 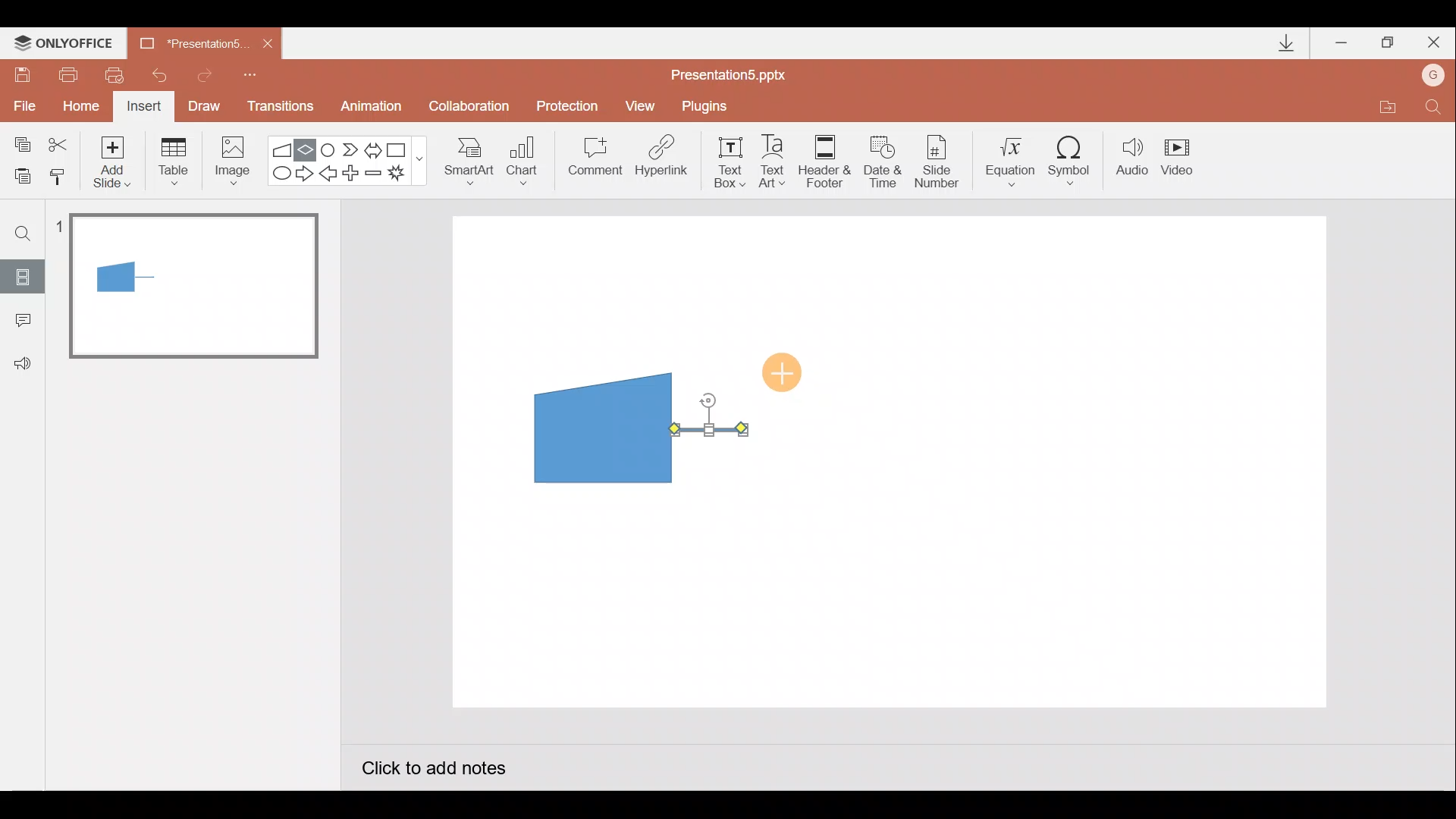 I want to click on Hyperlink, so click(x=663, y=161).